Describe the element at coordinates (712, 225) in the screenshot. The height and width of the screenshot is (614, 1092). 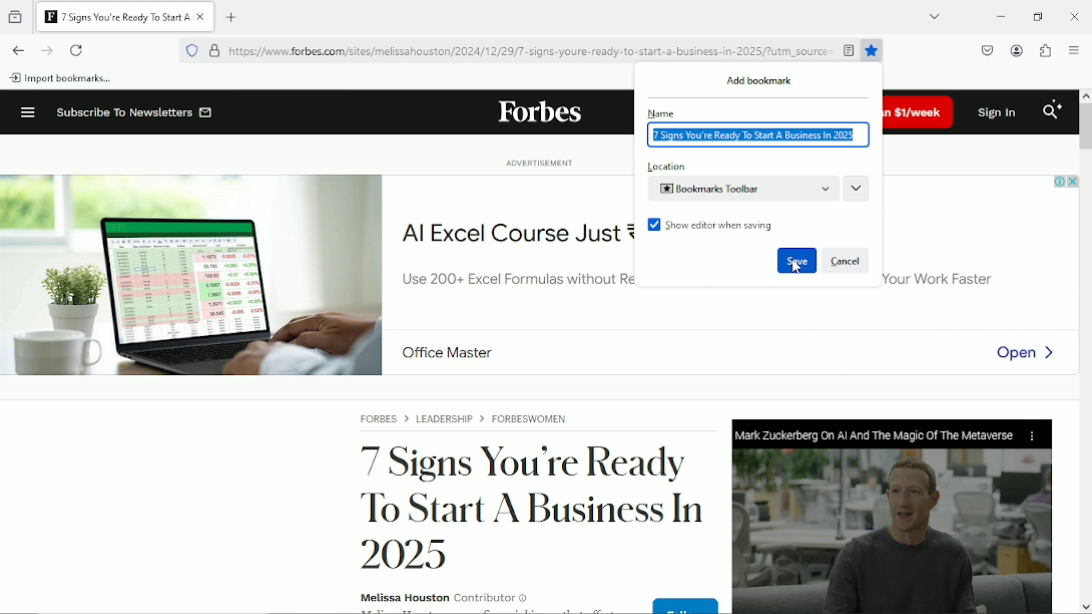
I see `Show editor when saving` at that location.